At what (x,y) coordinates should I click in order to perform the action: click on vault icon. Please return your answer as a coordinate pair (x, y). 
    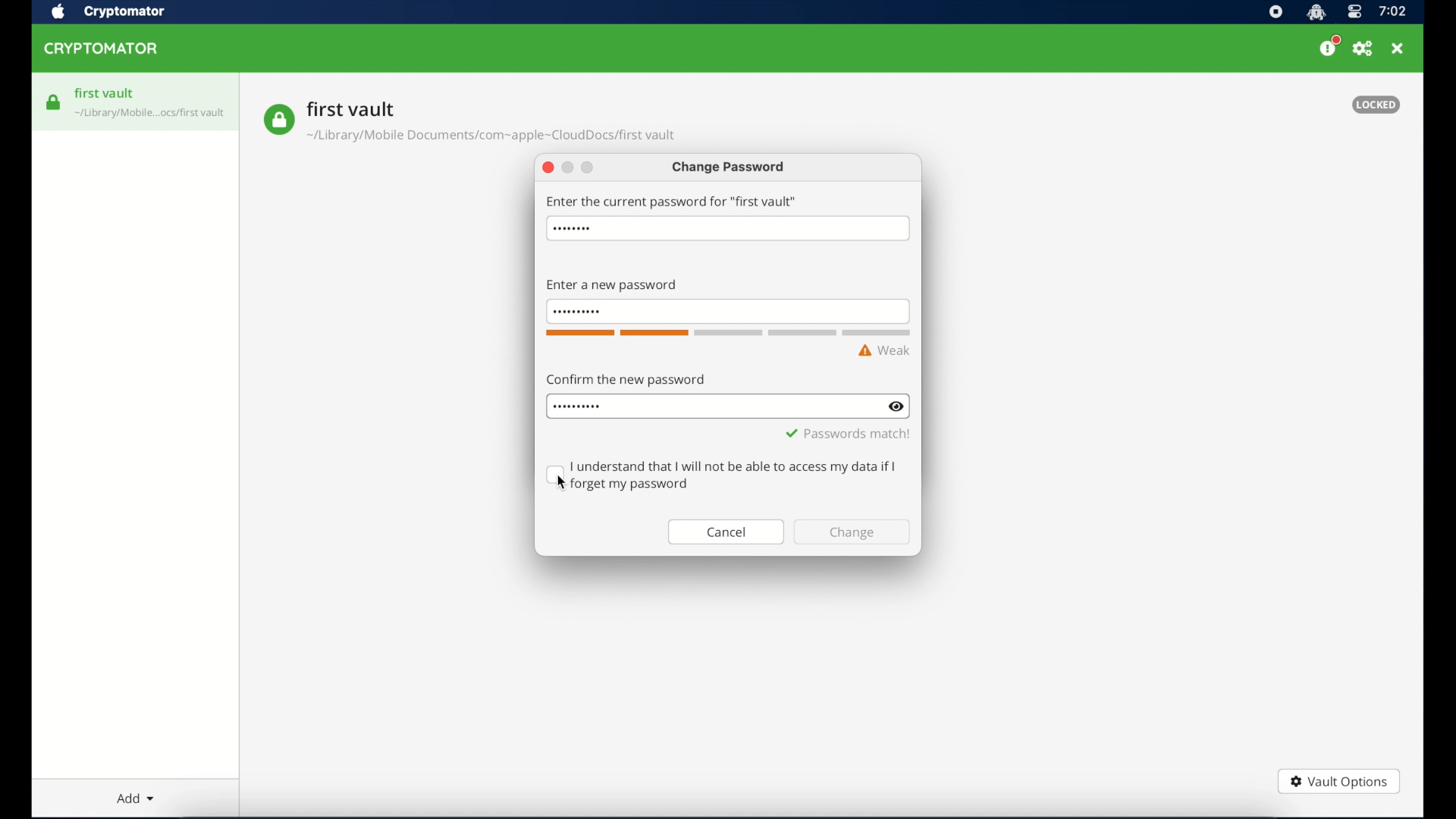
    Looking at the image, I should click on (54, 102).